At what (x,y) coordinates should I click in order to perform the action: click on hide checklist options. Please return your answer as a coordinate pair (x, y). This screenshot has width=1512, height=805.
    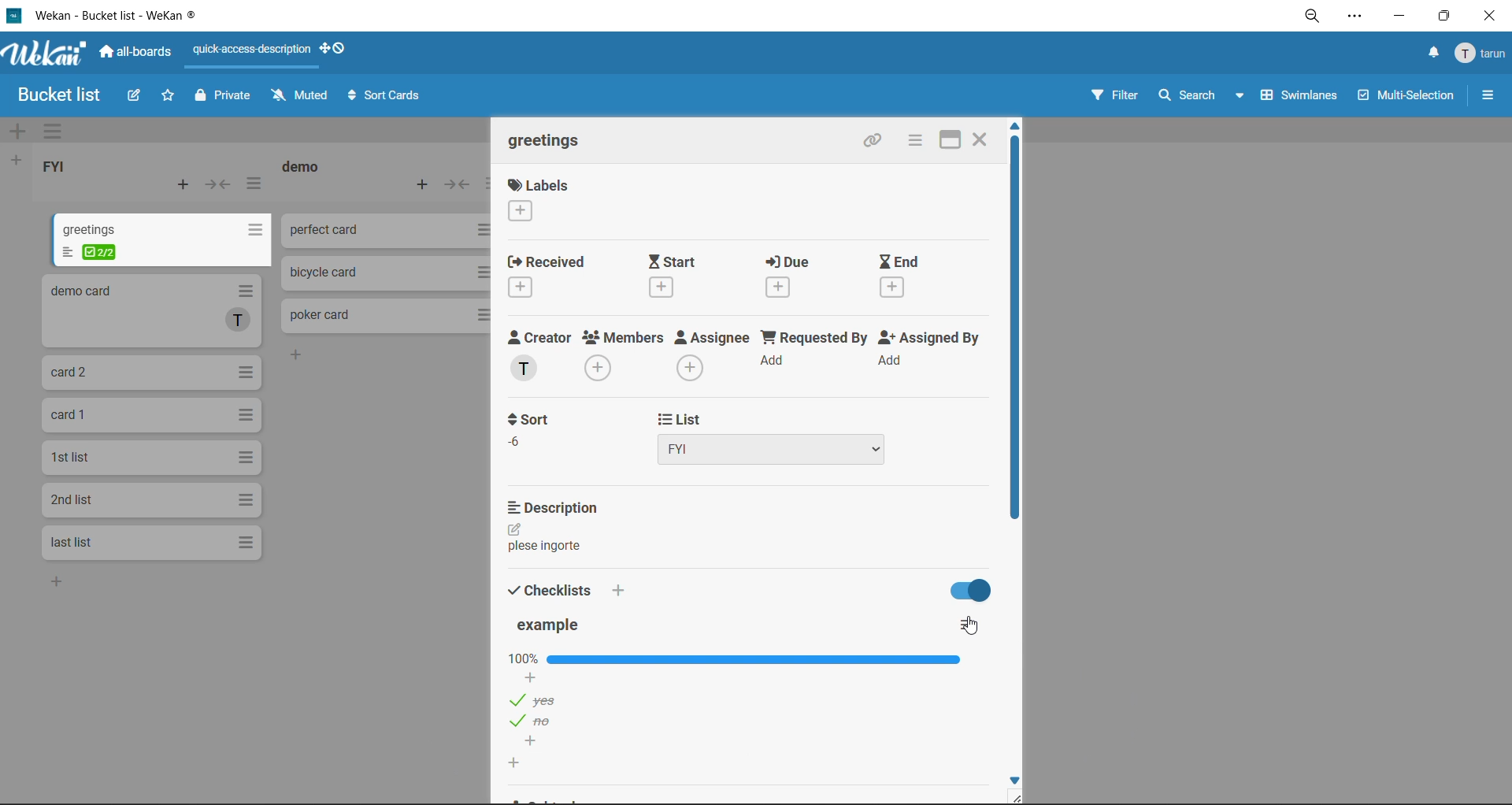
    Looking at the image, I should click on (974, 589).